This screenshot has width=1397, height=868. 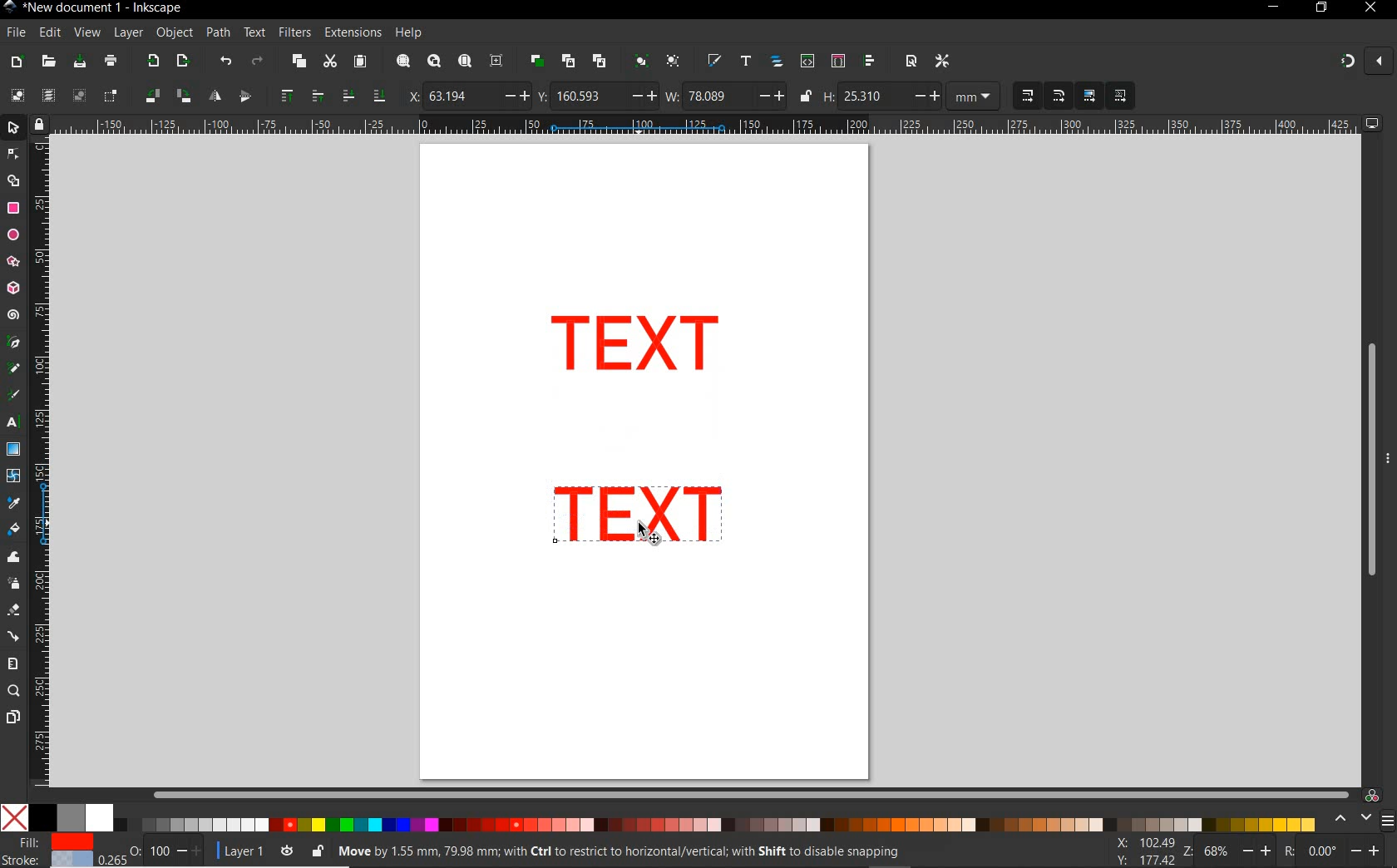 What do you see at coordinates (359, 62) in the screenshot?
I see `paste` at bounding box center [359, 62].